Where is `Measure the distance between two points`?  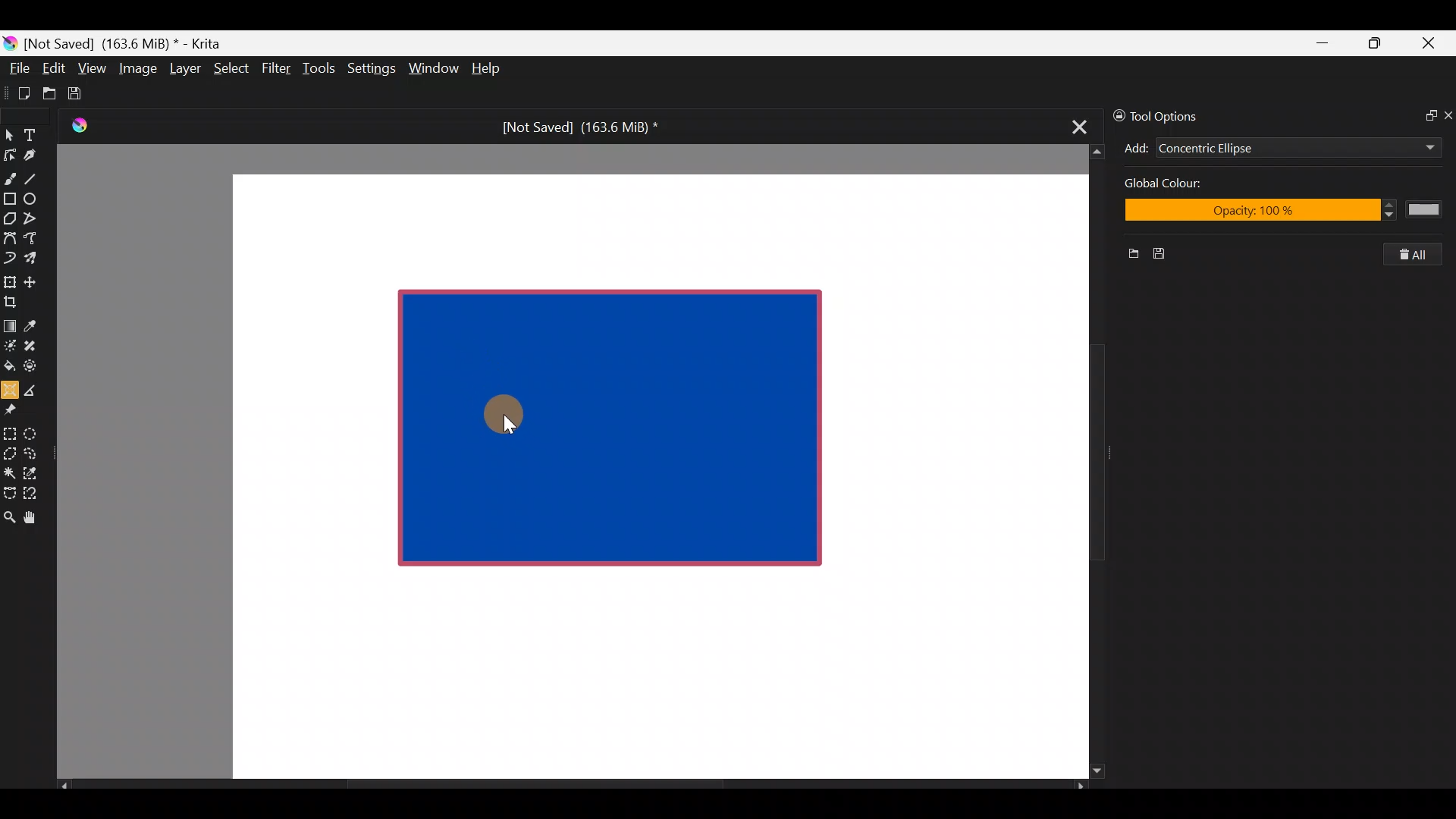 Measure the distance between two points is located at coordinates (35, 385).